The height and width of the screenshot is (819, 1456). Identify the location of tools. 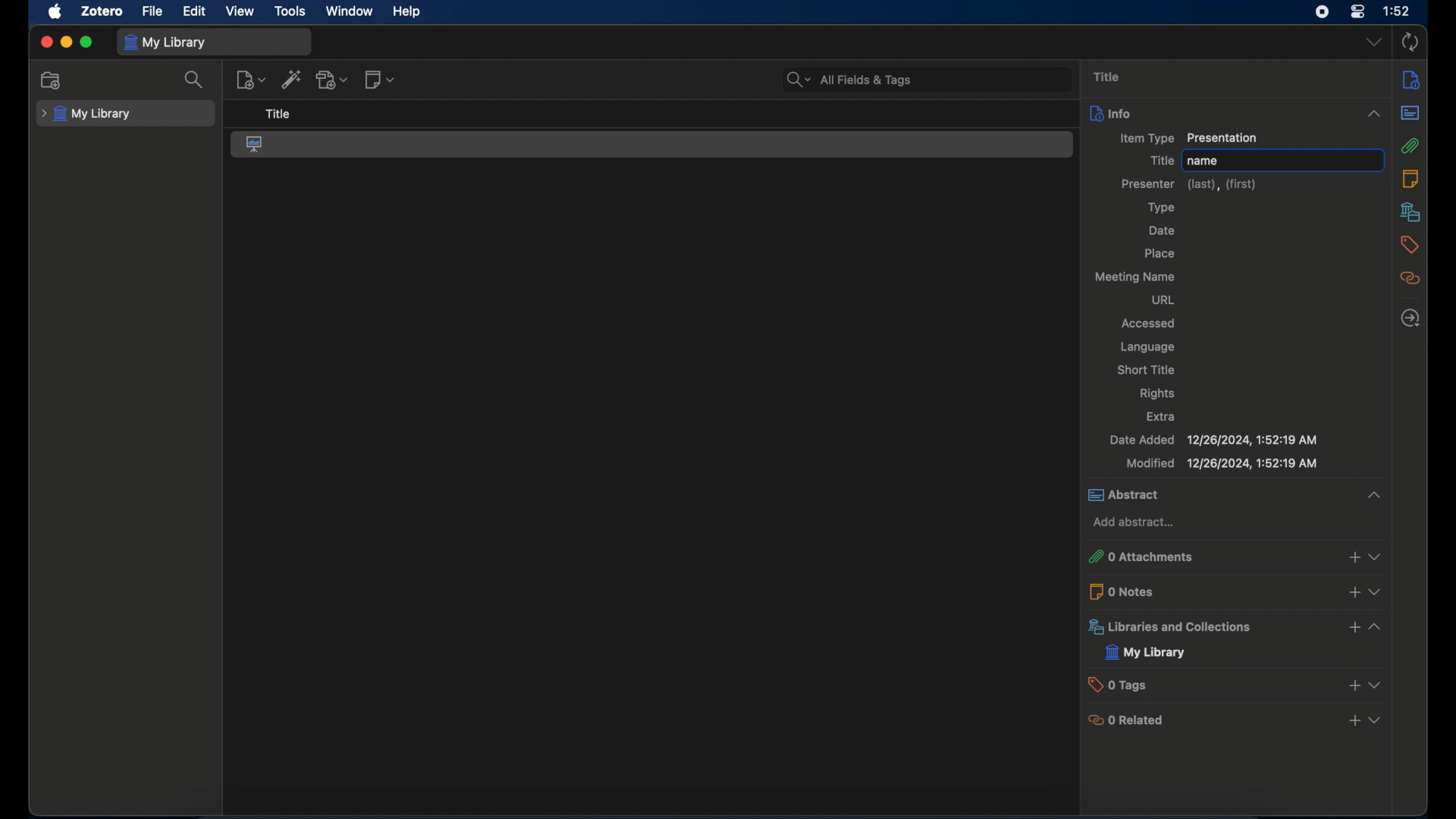
(290, 11).